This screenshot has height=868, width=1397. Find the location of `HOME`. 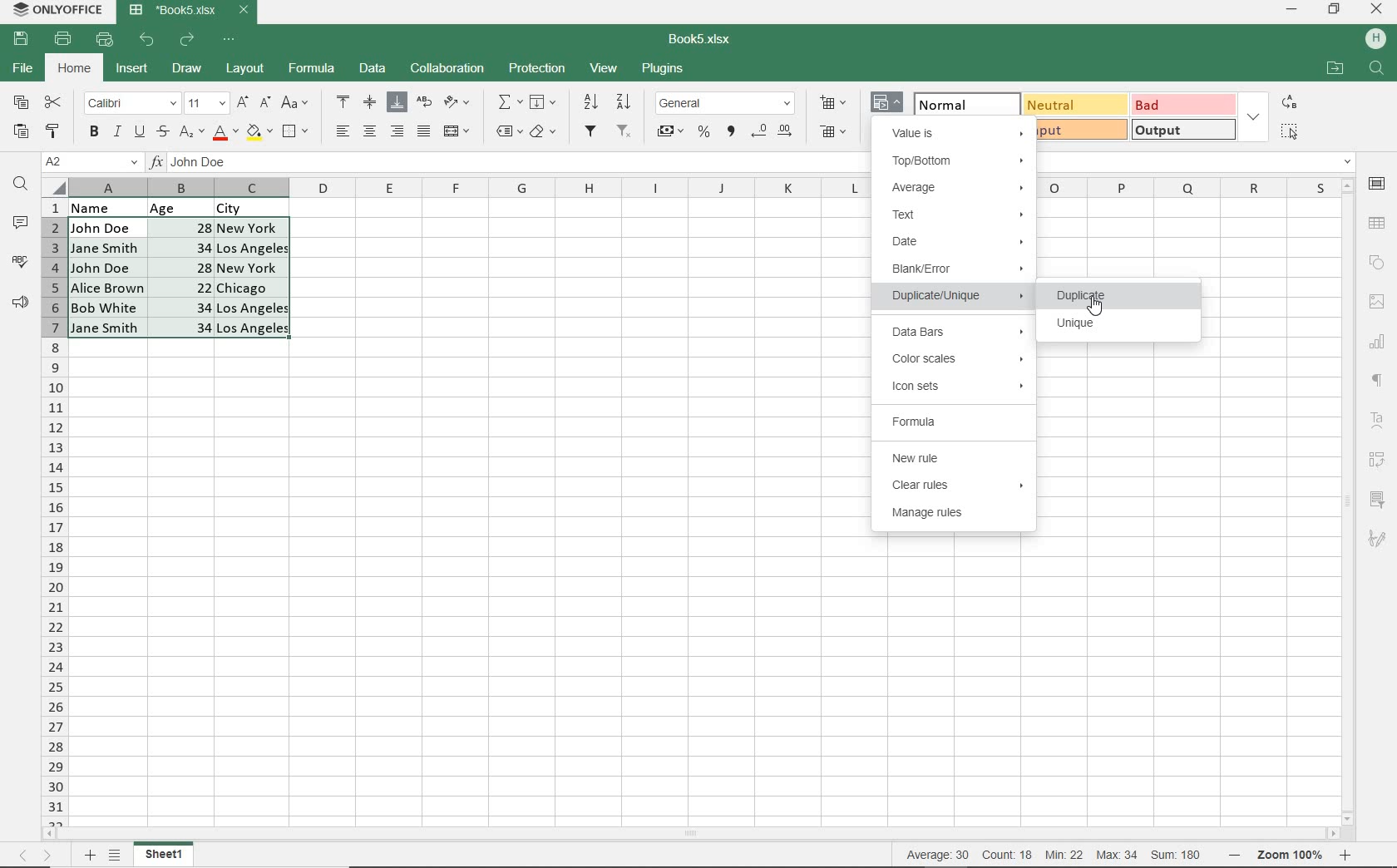

HOME is located at coordinates (76, 70).